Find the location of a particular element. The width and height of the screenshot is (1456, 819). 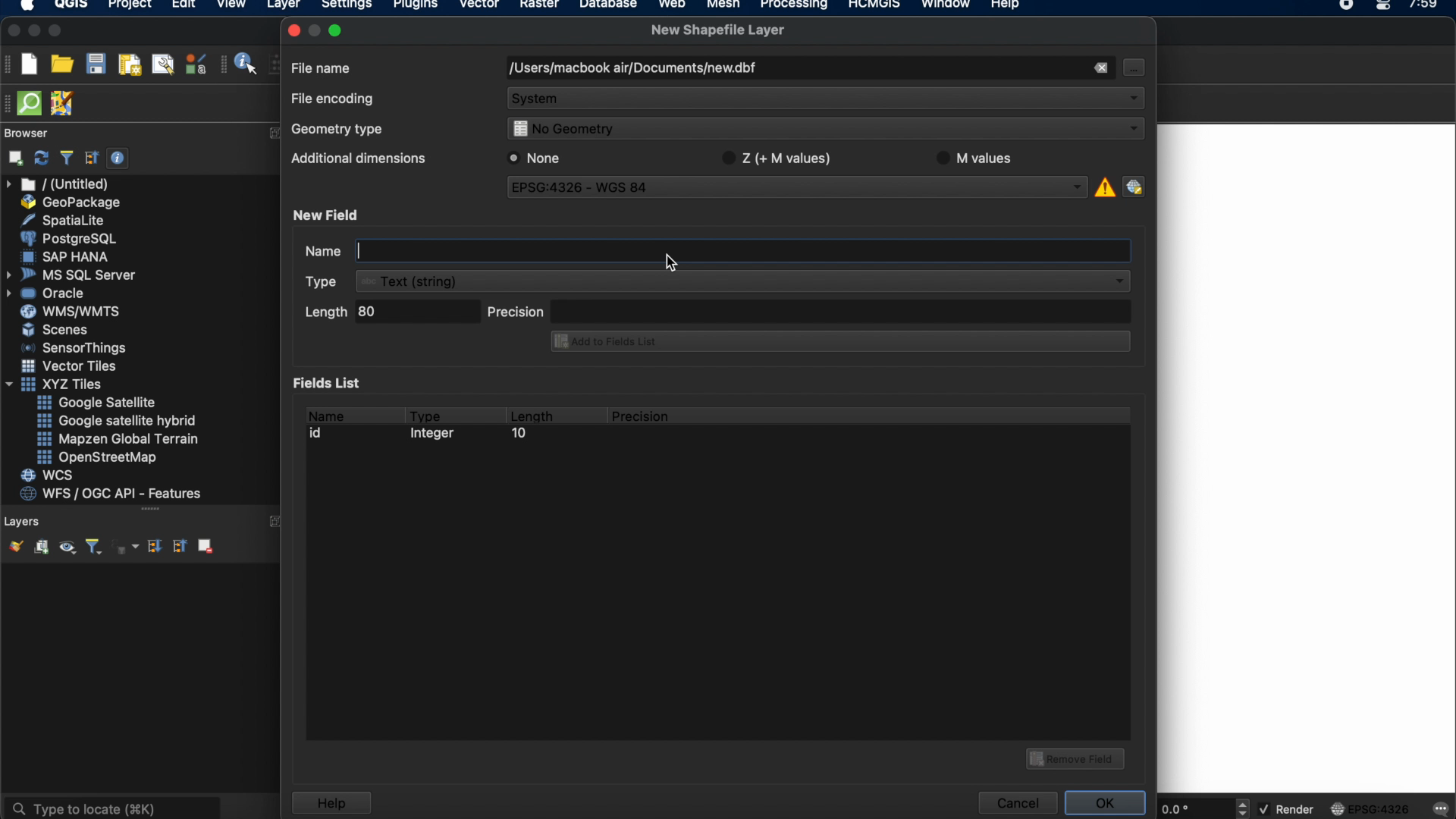

name is located at coordinates (325, 413).